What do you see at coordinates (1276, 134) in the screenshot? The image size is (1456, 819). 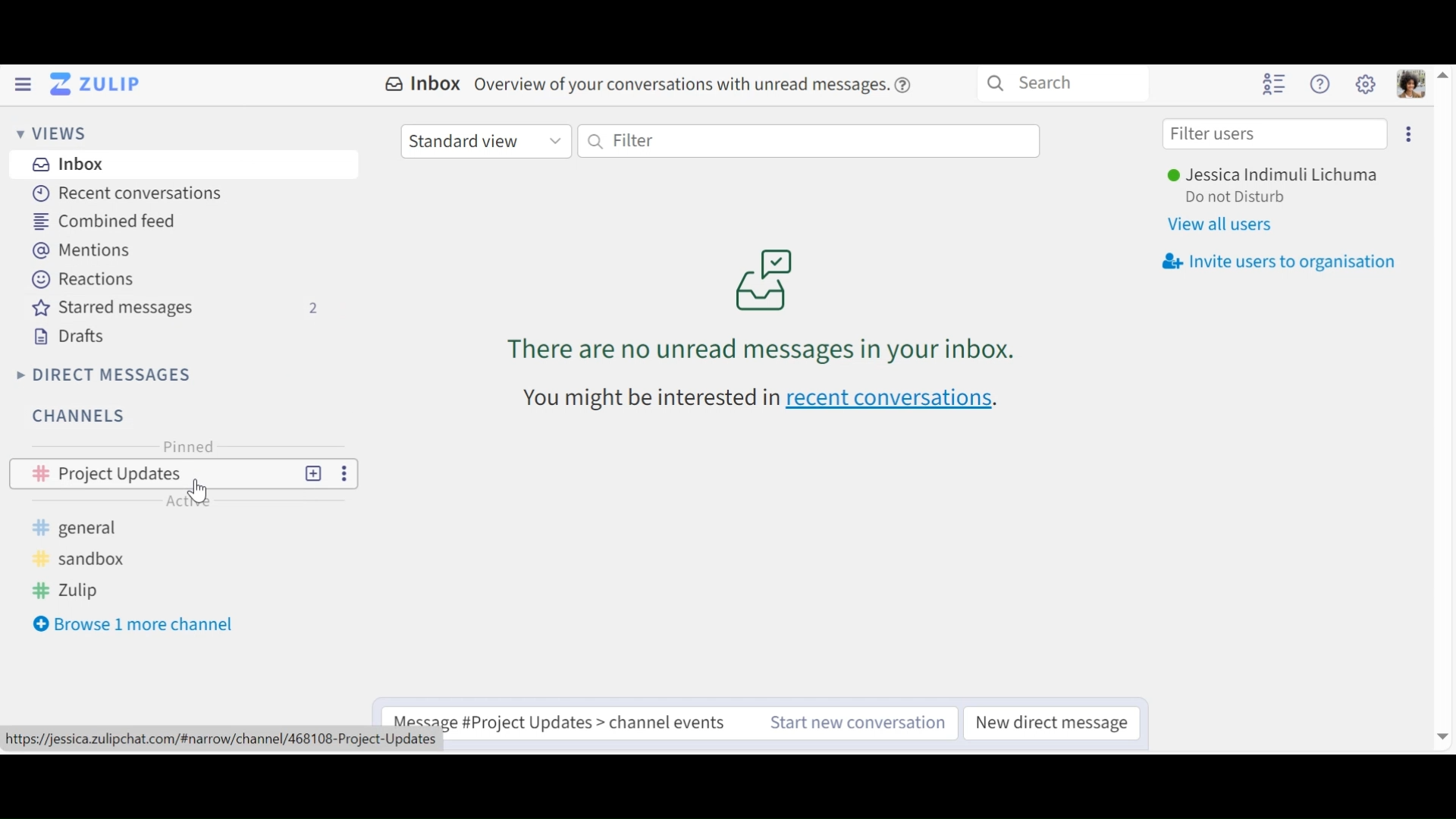 I see `Filter users` at bounding box center [1276, 134].